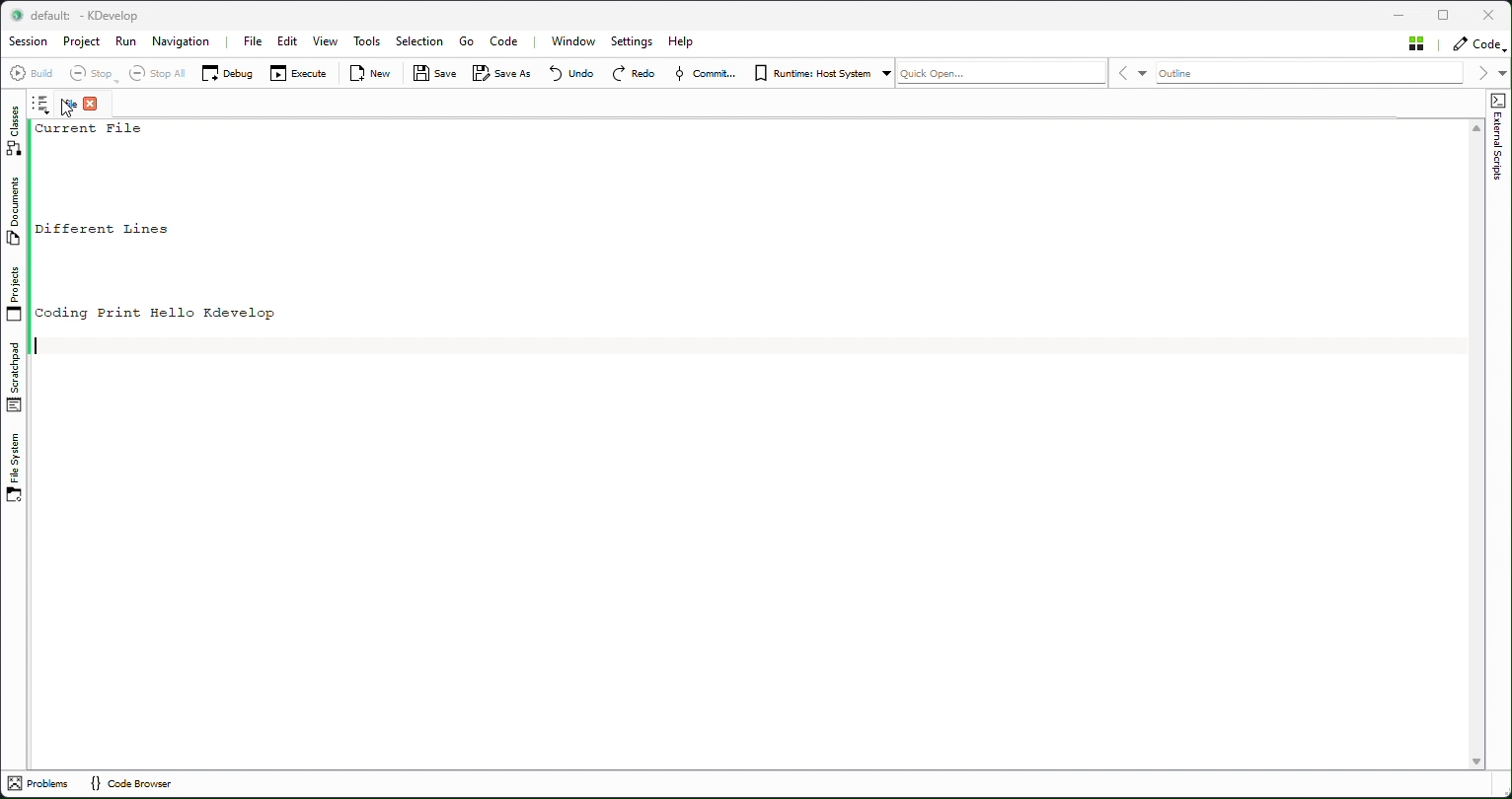 This screenshot has width=1512, height=799. What do you see at coordinates (432, 74) in the screenshot?
I see `Save` at bounding box center [432, 74].